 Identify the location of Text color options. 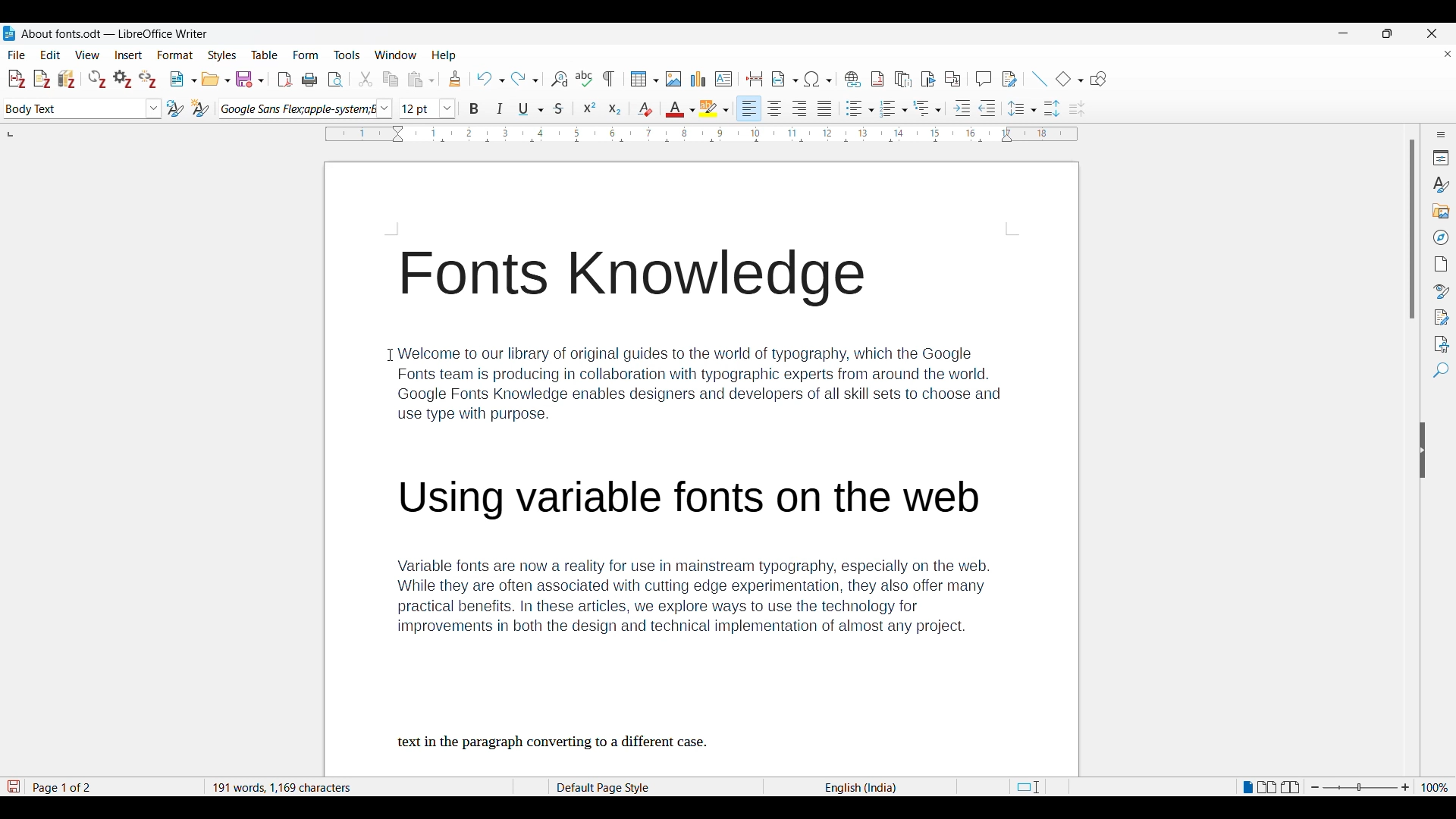
(681, 108).